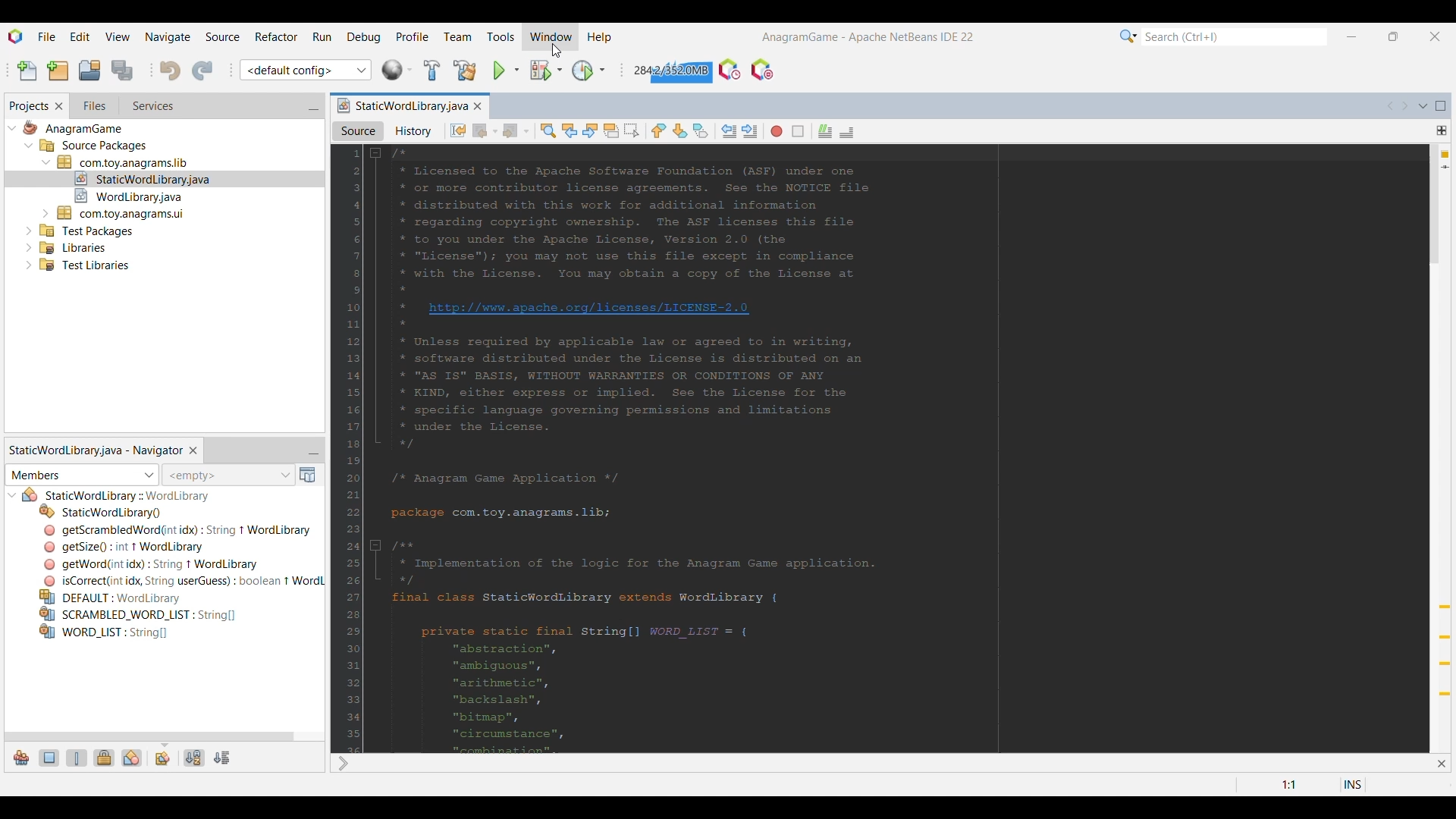 This screenshot has width=1456, height=819. I want to click on Show fields, so click(50, 758).